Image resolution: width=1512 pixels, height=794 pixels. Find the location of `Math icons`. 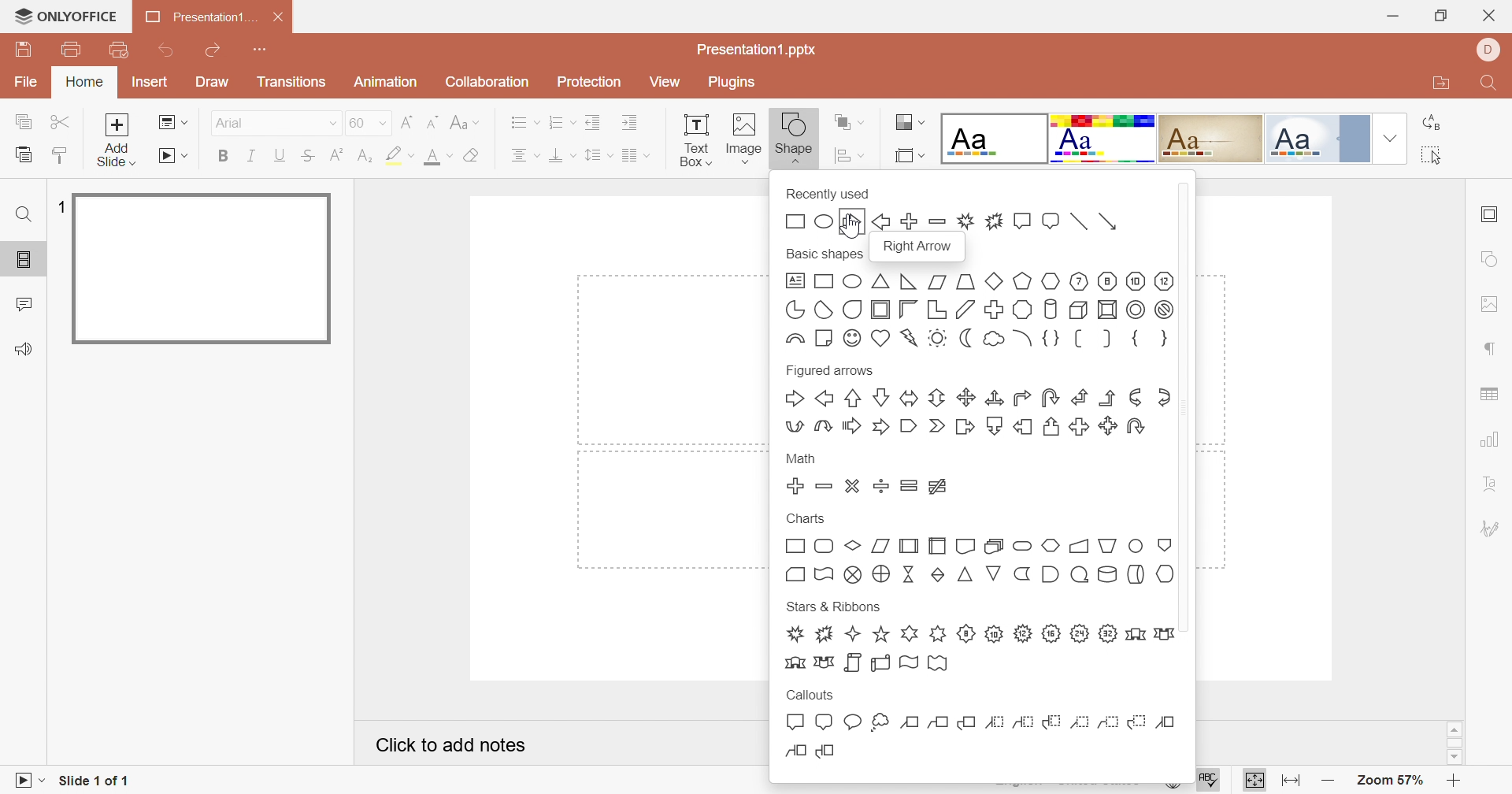

Math icons is located at coordinates (873, 484).